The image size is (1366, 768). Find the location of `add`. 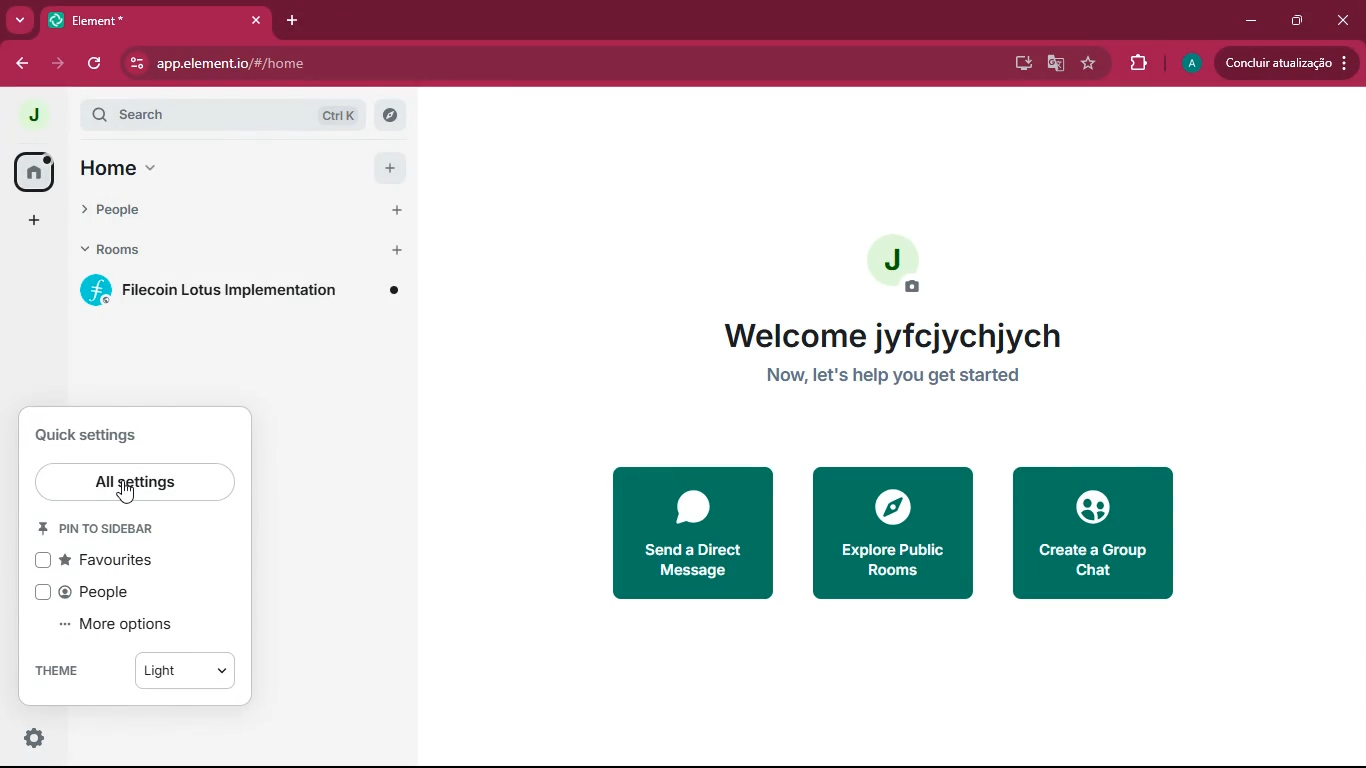

add is located at coordinates (31, 222).